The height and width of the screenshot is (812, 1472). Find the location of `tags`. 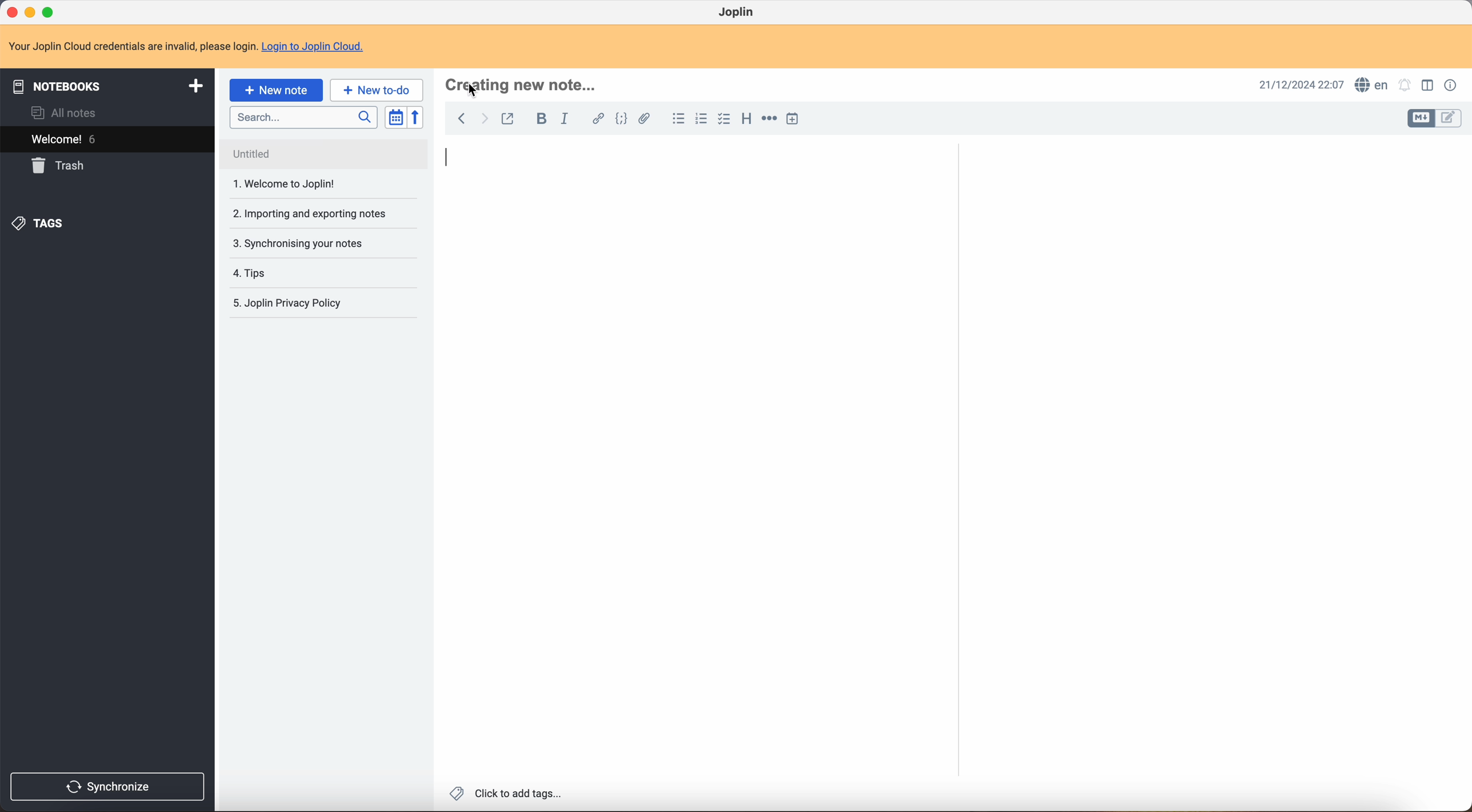

tags is located at coordinates (41, 225).